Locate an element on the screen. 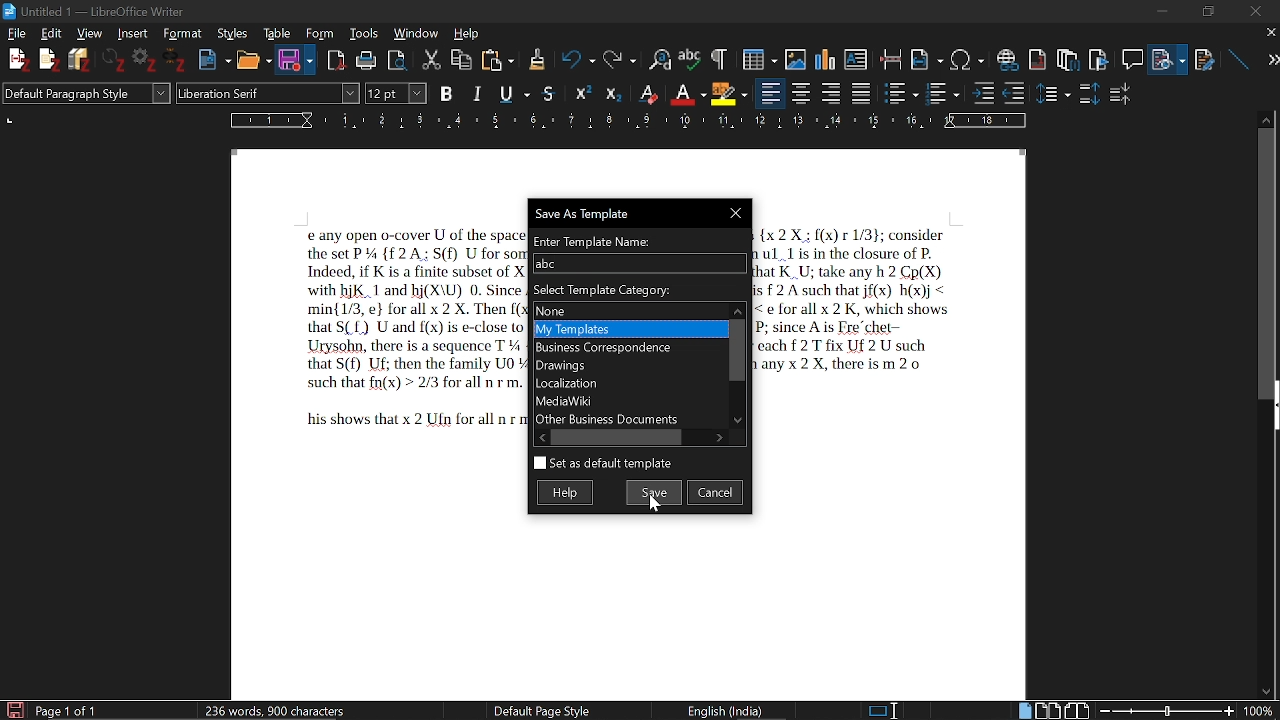 This screenshot has height=720, width=1280. B is located at coordinates (447, 92).